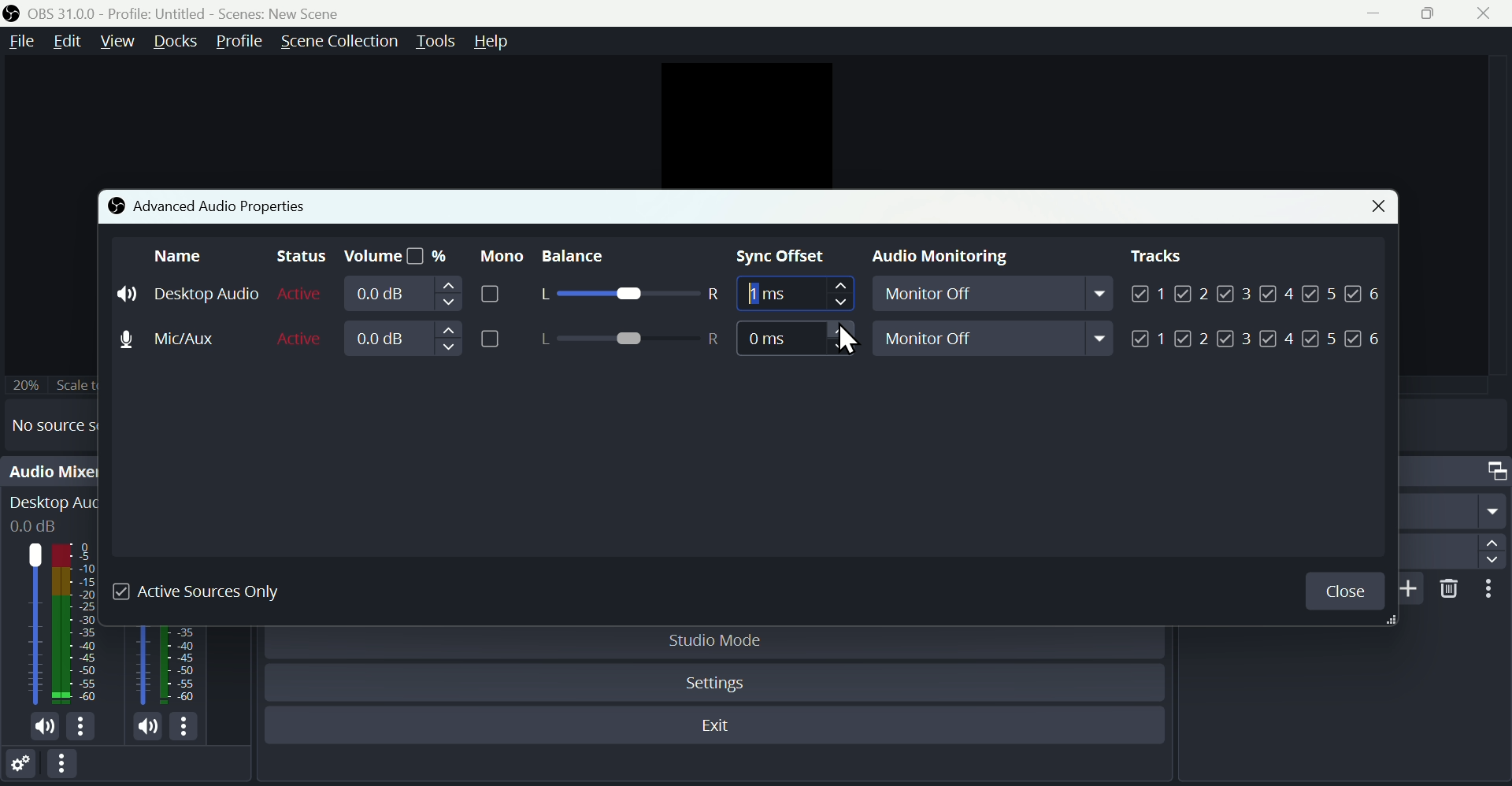 The height and width of the screenshot is (786, 1512). Describe the element at coordinates (1157, 256) in the screenshot. I see `Tracks` at that location.